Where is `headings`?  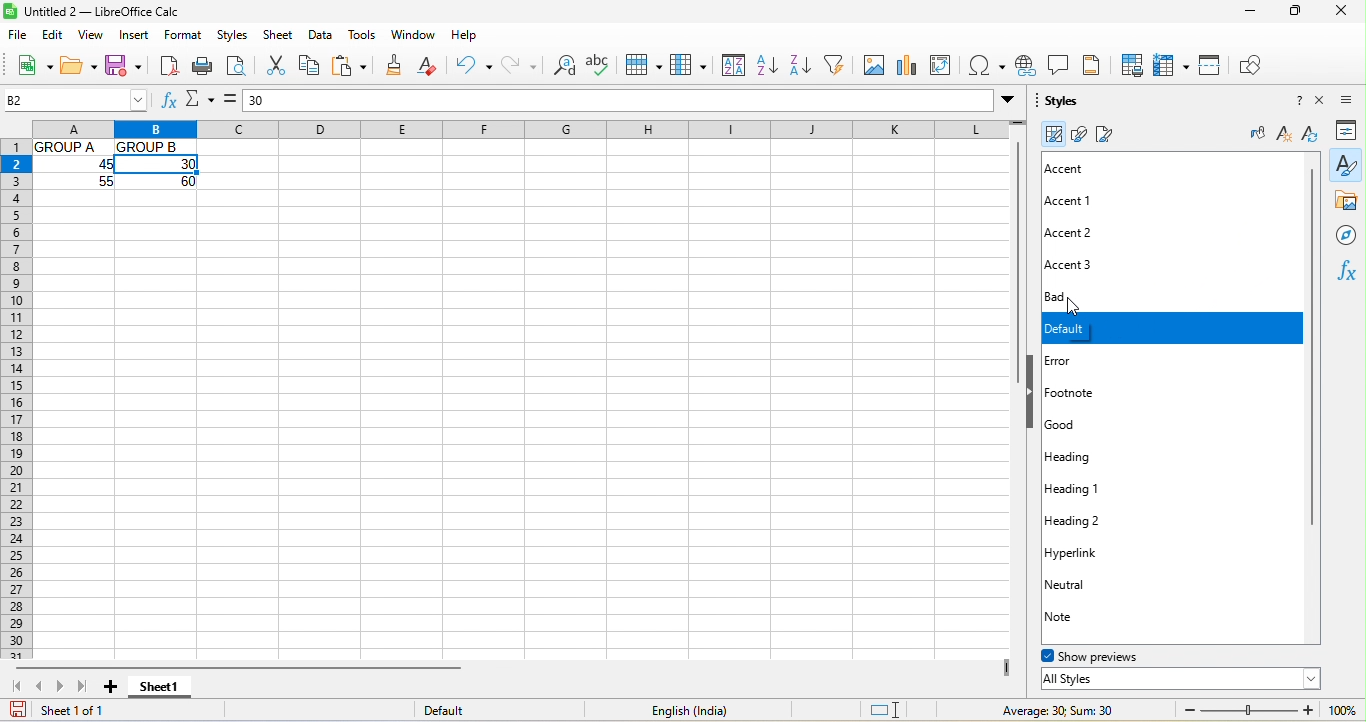 headings is located at coordinates (1086, 458).